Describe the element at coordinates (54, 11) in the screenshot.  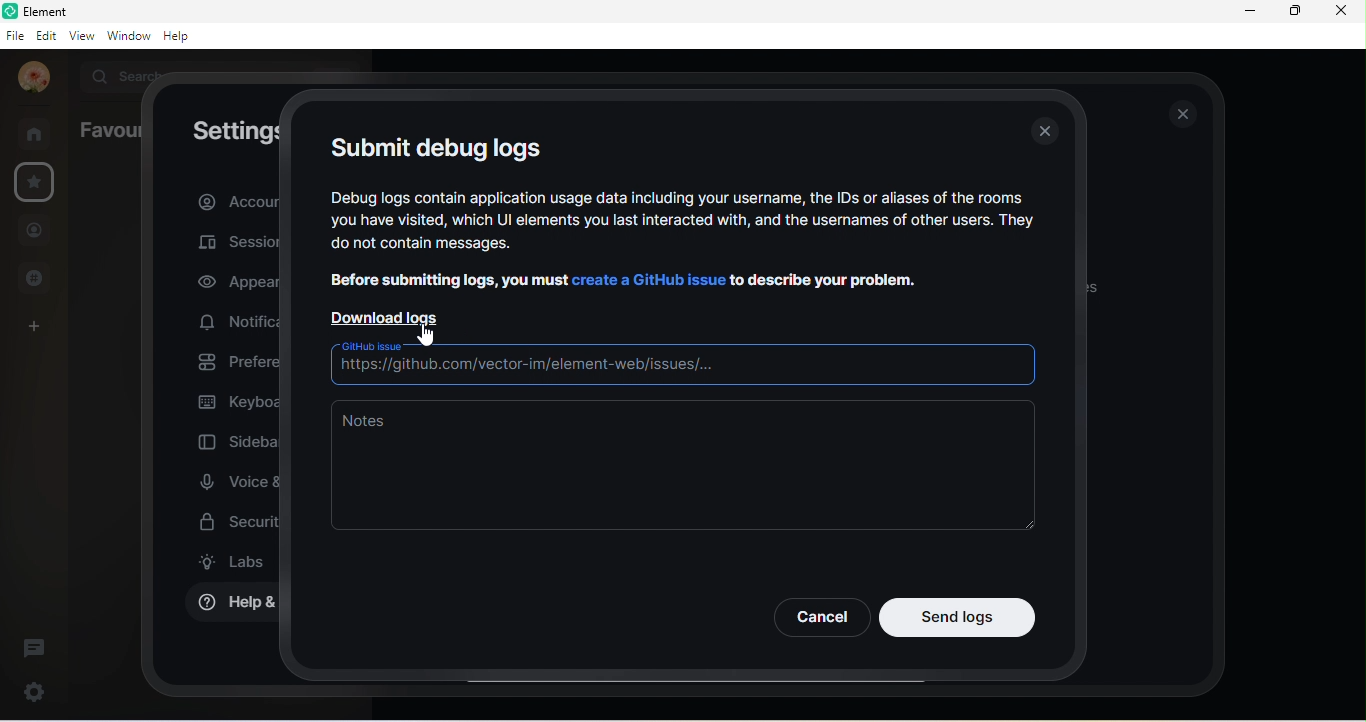
I see `Element` at that location.